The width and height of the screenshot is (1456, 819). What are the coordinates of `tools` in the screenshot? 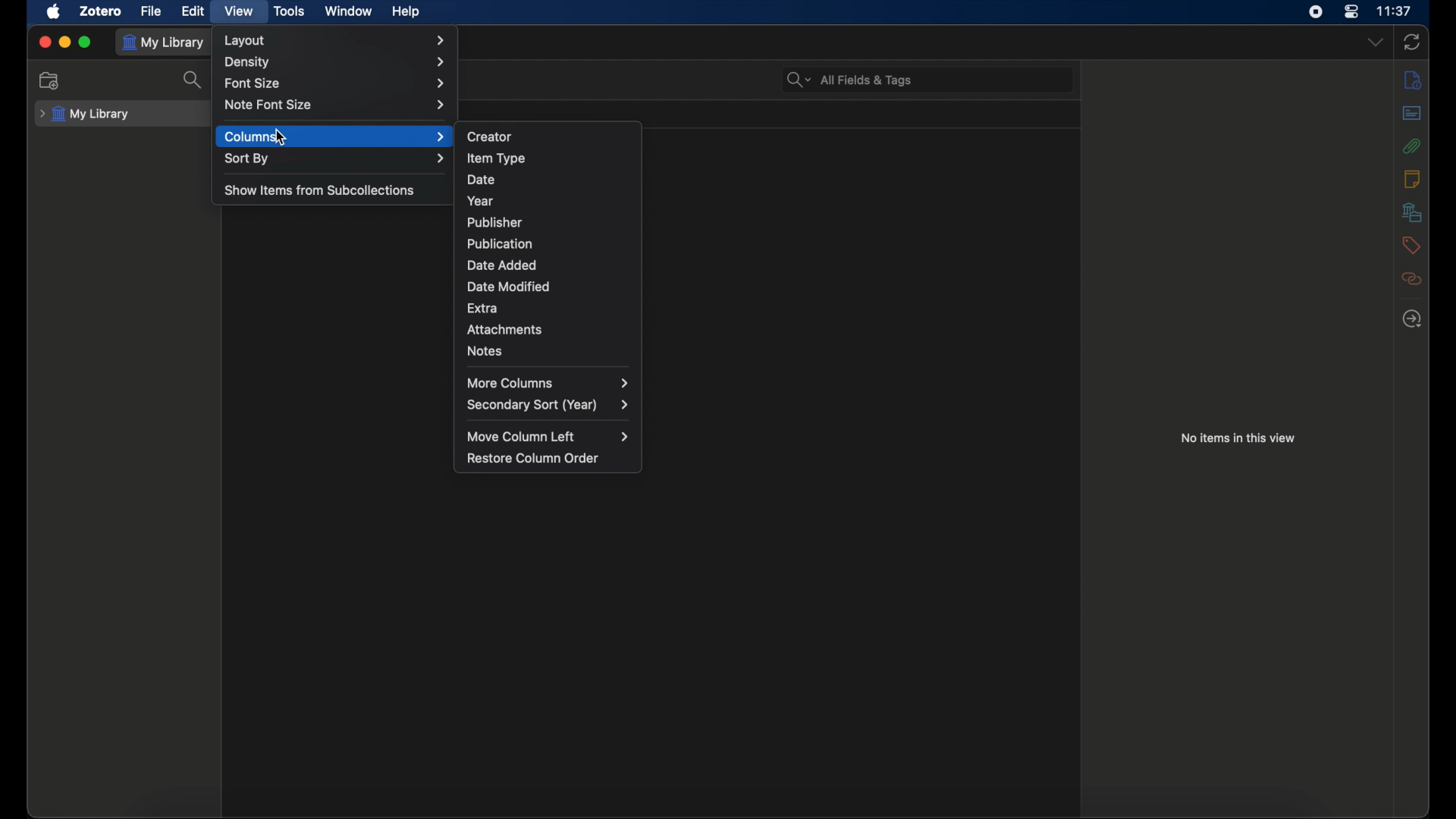 It's located at (290, 11).